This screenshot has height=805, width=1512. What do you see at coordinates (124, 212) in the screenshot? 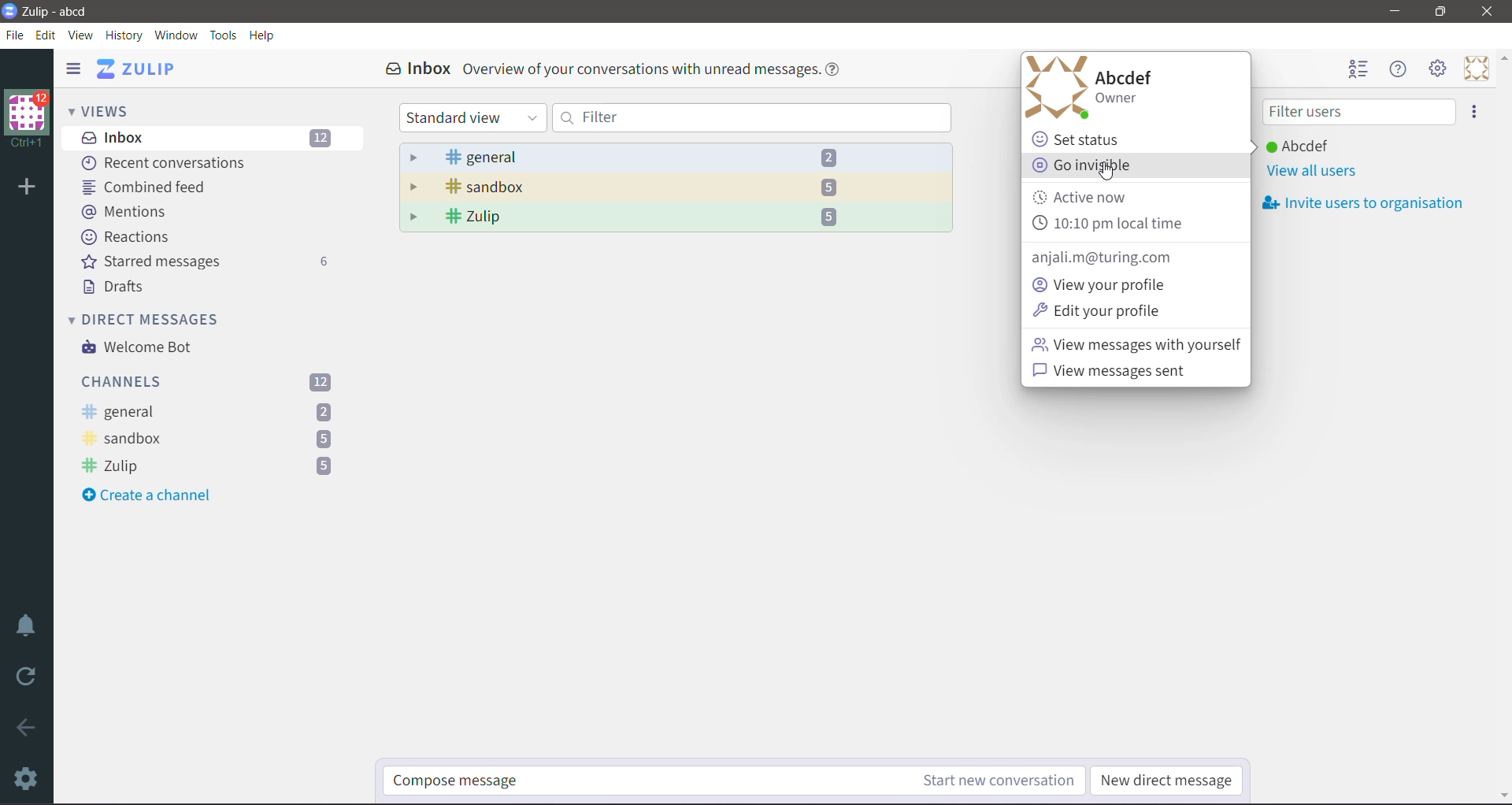
I see `Mentions` at bounding box center [124, 212].